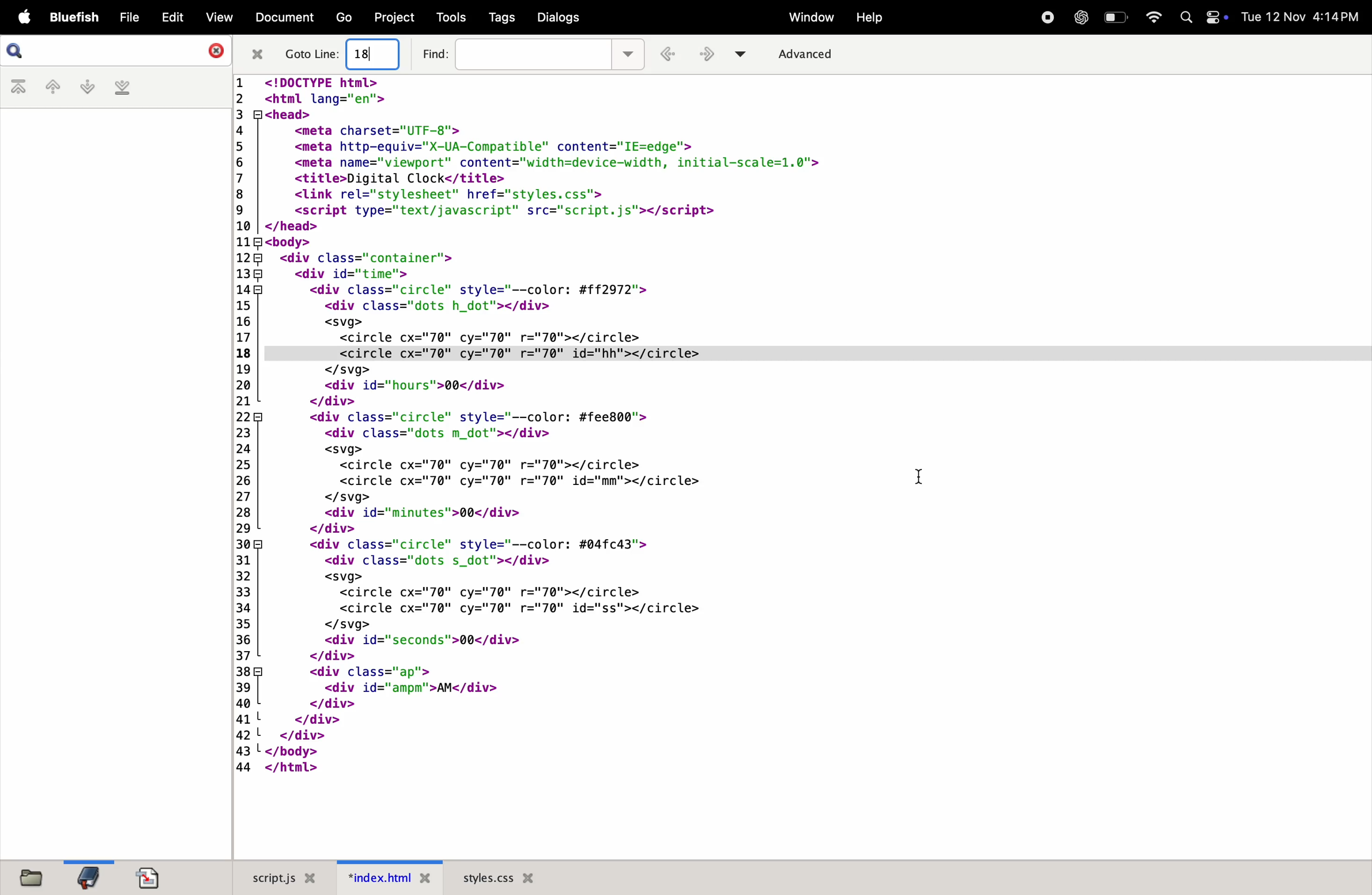 This screenshot has width=1372, height=895. I want to click on record, so click(1046, 18).